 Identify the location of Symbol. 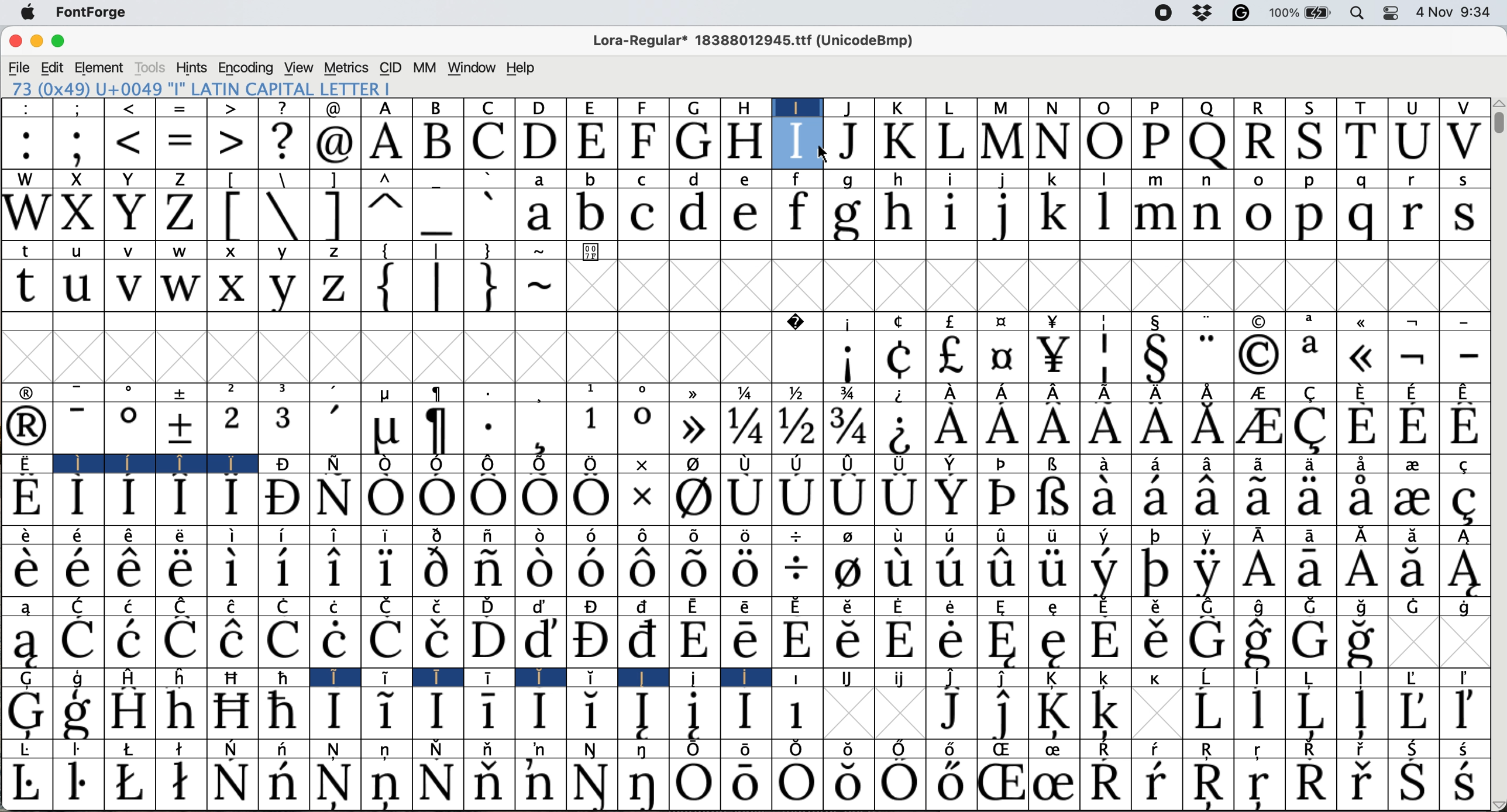
(1465, 391).